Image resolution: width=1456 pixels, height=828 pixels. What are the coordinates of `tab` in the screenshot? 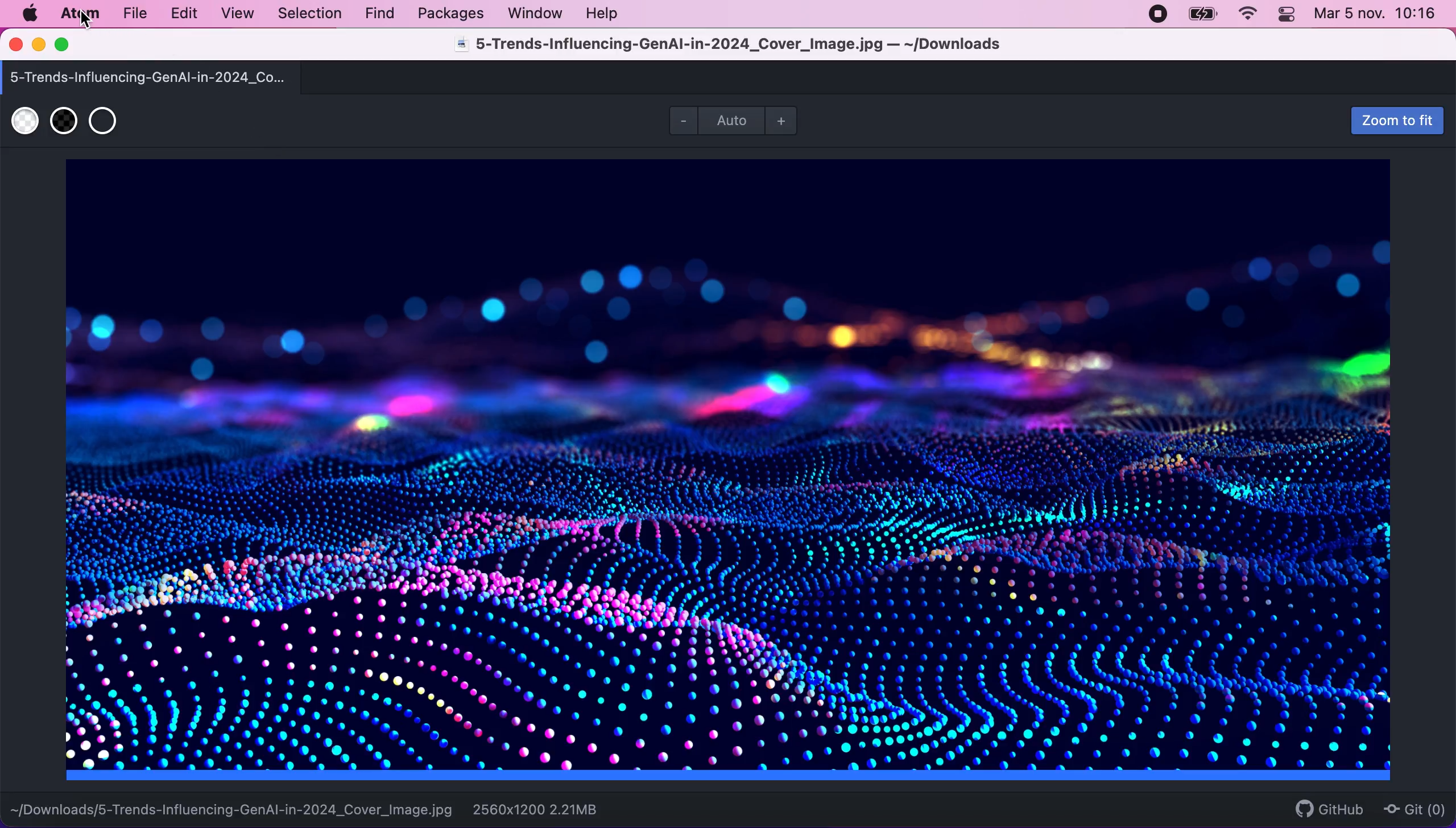 It's located at (164, 77).